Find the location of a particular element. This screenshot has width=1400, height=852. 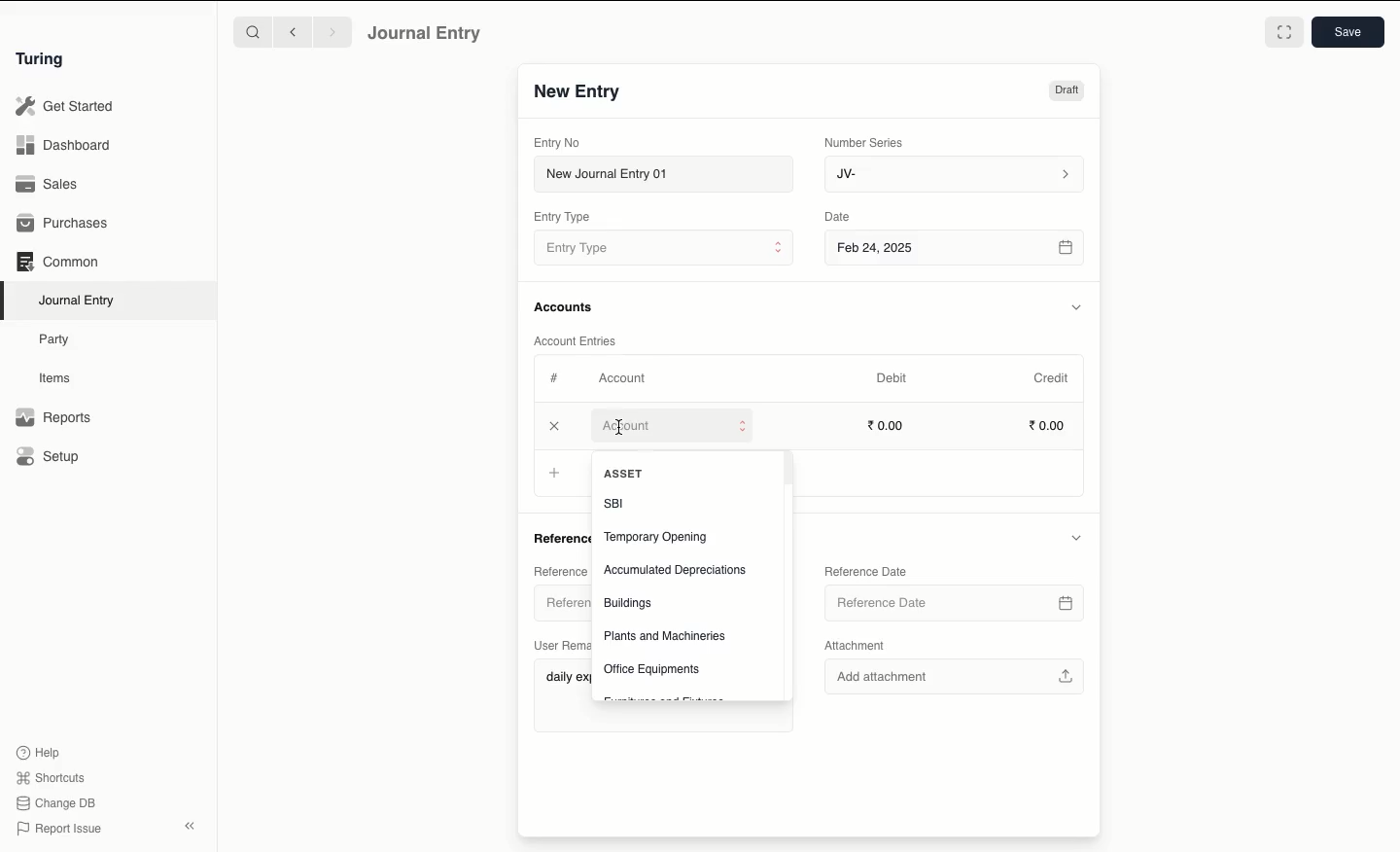

Toggle between form and full width is located at coordinates (1284, 32).